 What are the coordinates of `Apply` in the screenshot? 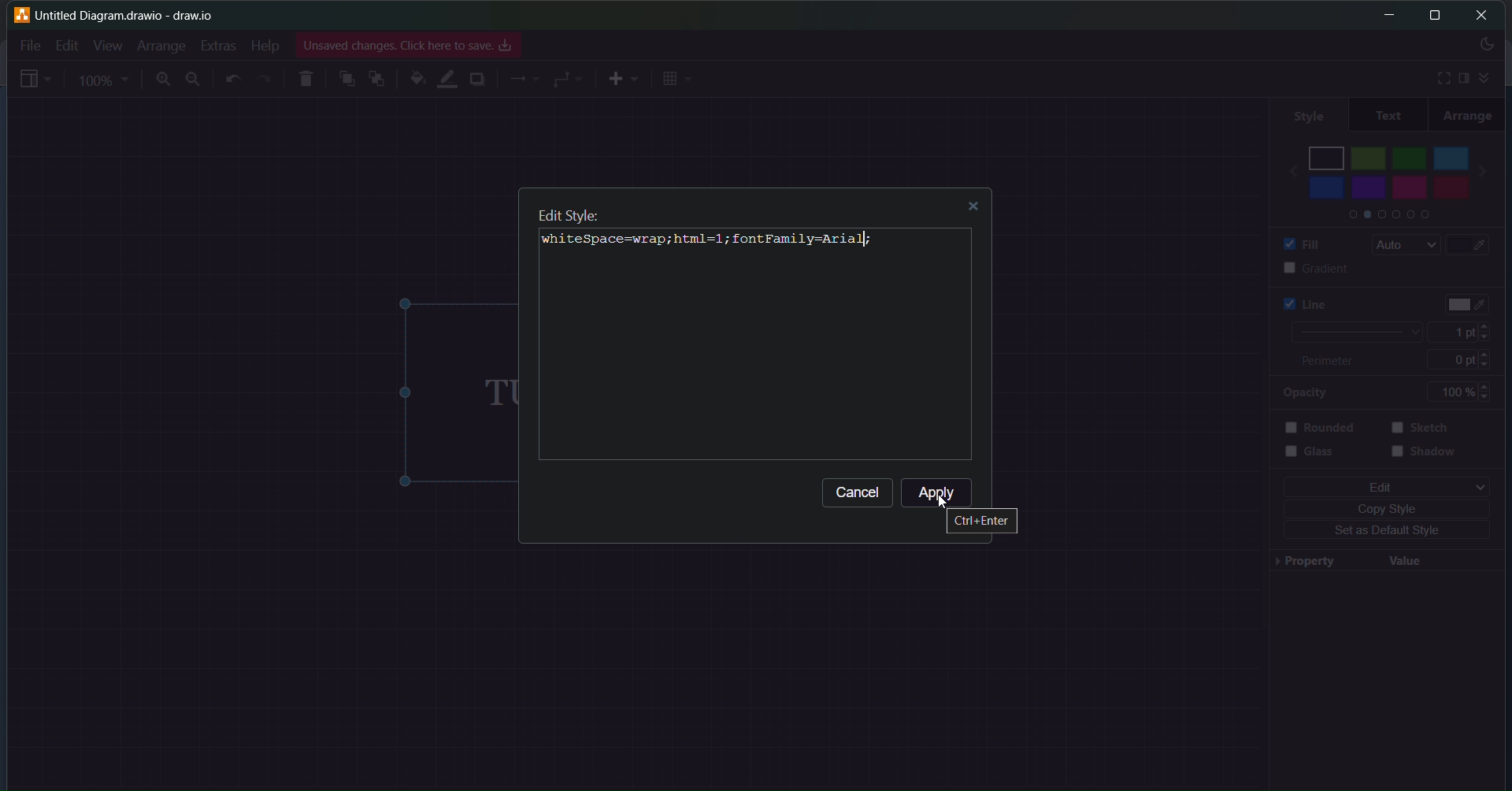 It's located at (939, 494).